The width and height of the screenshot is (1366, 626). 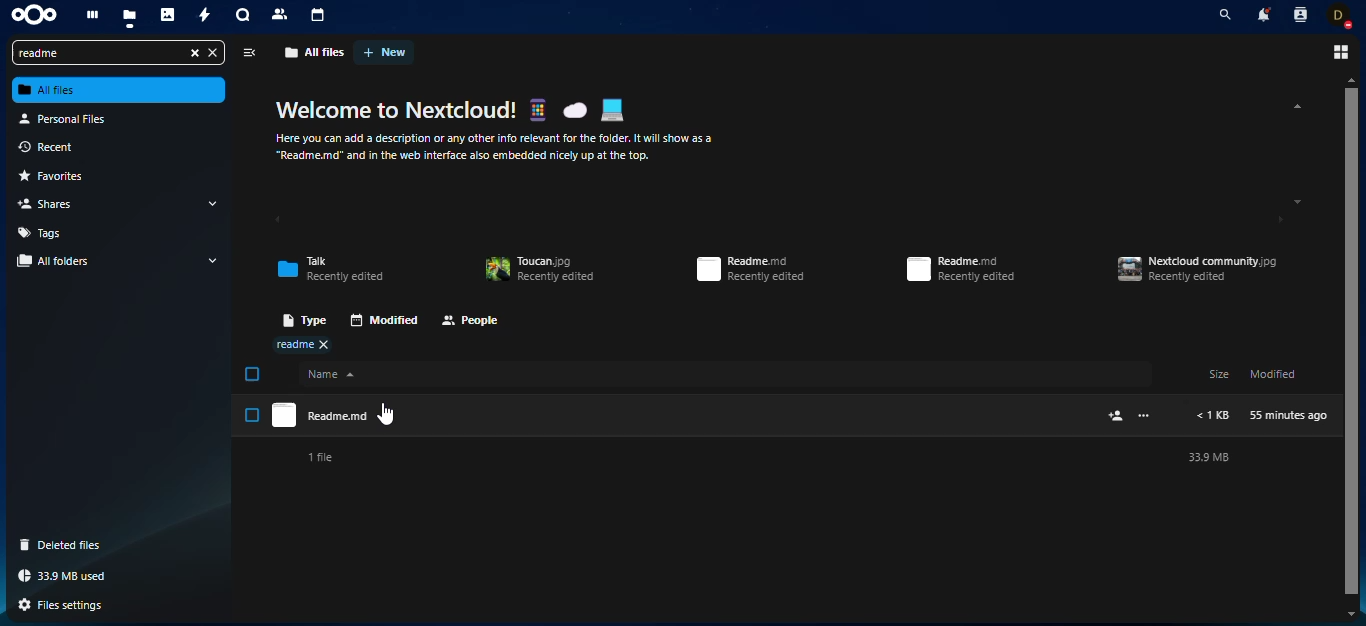 I want to click on Talk Recently edited, so click(x=330, y=269).